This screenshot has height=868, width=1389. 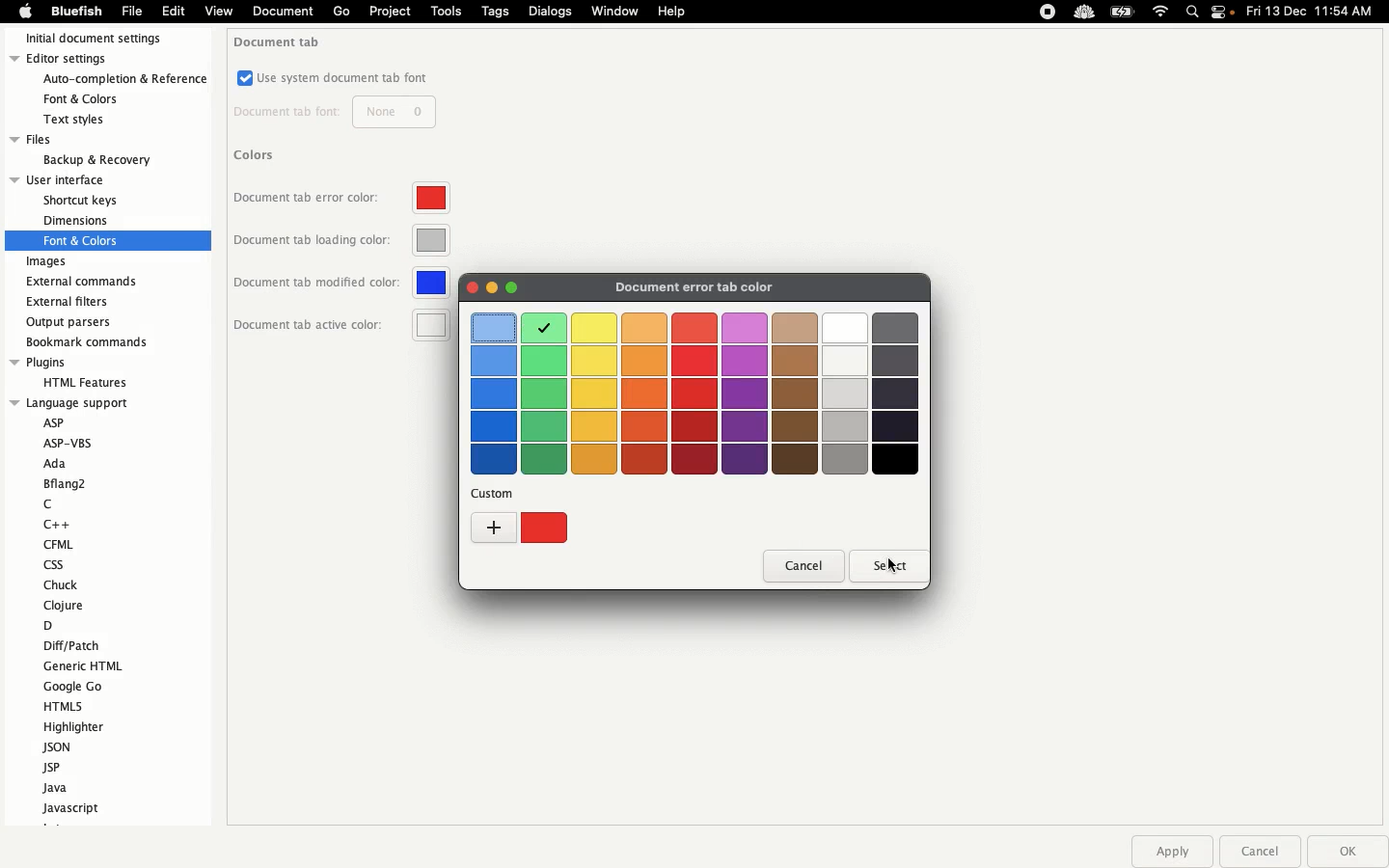 What do you see at coordinates (696, 411) in the screenshot?
I see `Colors` at bounding box center [696, 411].